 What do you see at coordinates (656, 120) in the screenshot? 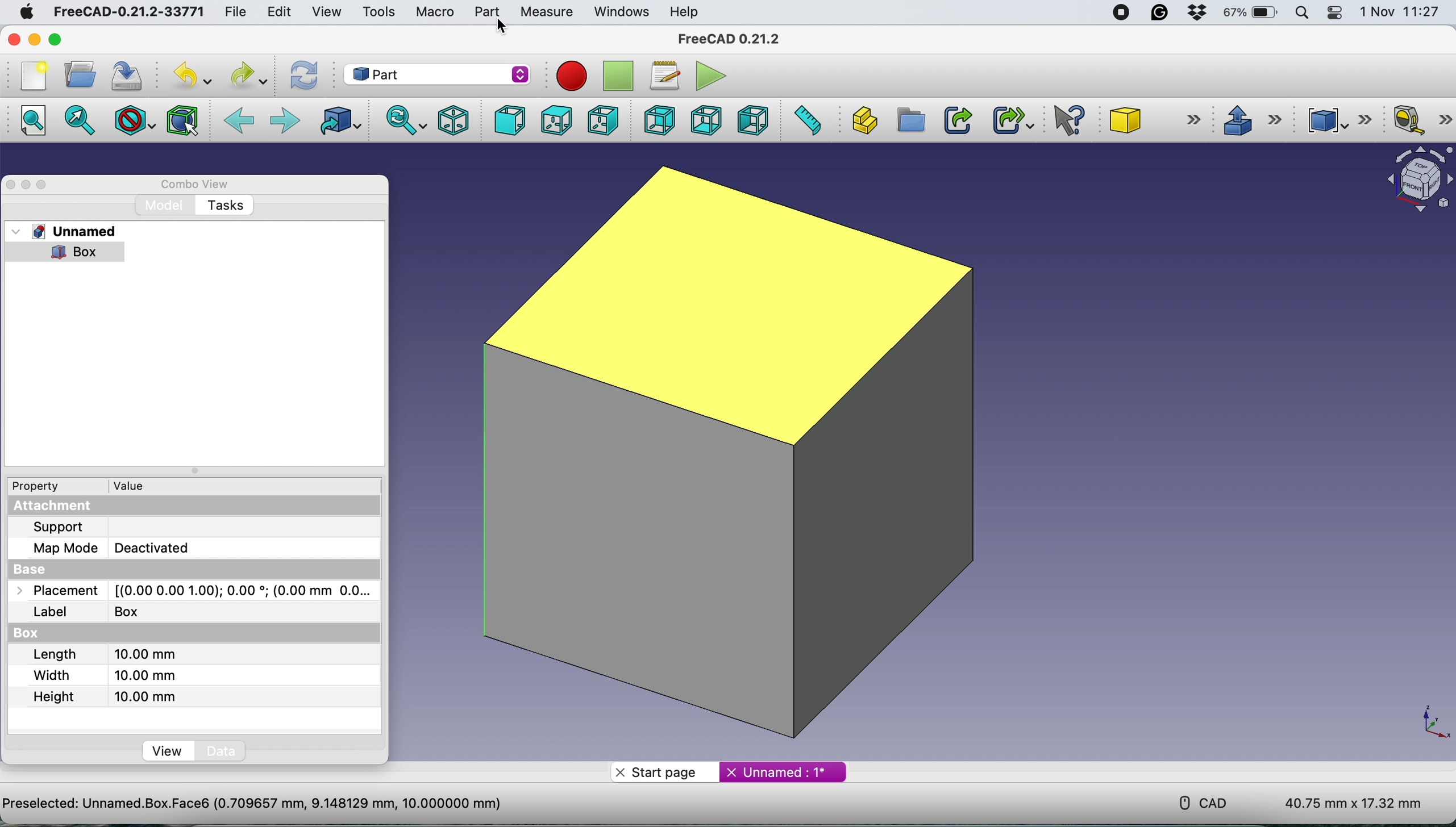
I see `rear` at bounding box center [656, 120].